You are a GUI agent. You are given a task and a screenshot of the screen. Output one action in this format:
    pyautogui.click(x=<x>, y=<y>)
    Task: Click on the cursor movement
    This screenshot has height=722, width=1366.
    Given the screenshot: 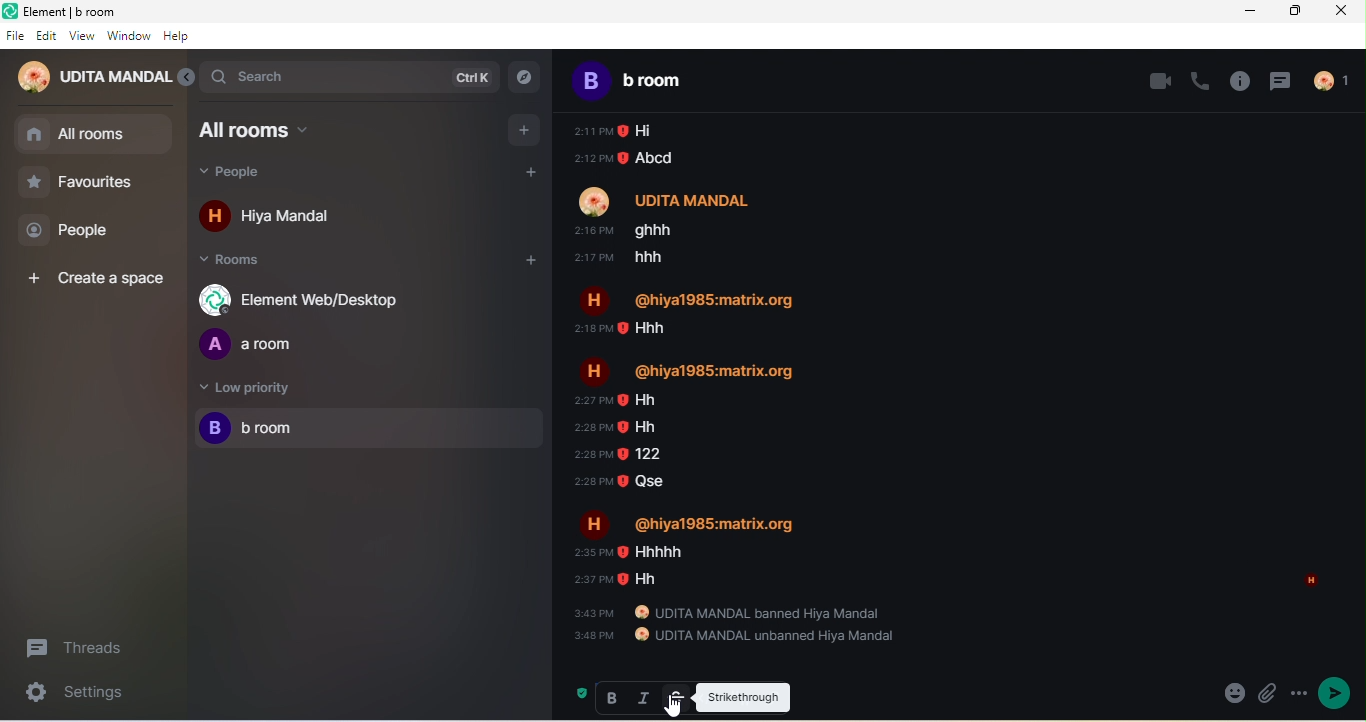 What is the action you would take?
    pyautogui.click(x=674, y=709)
    